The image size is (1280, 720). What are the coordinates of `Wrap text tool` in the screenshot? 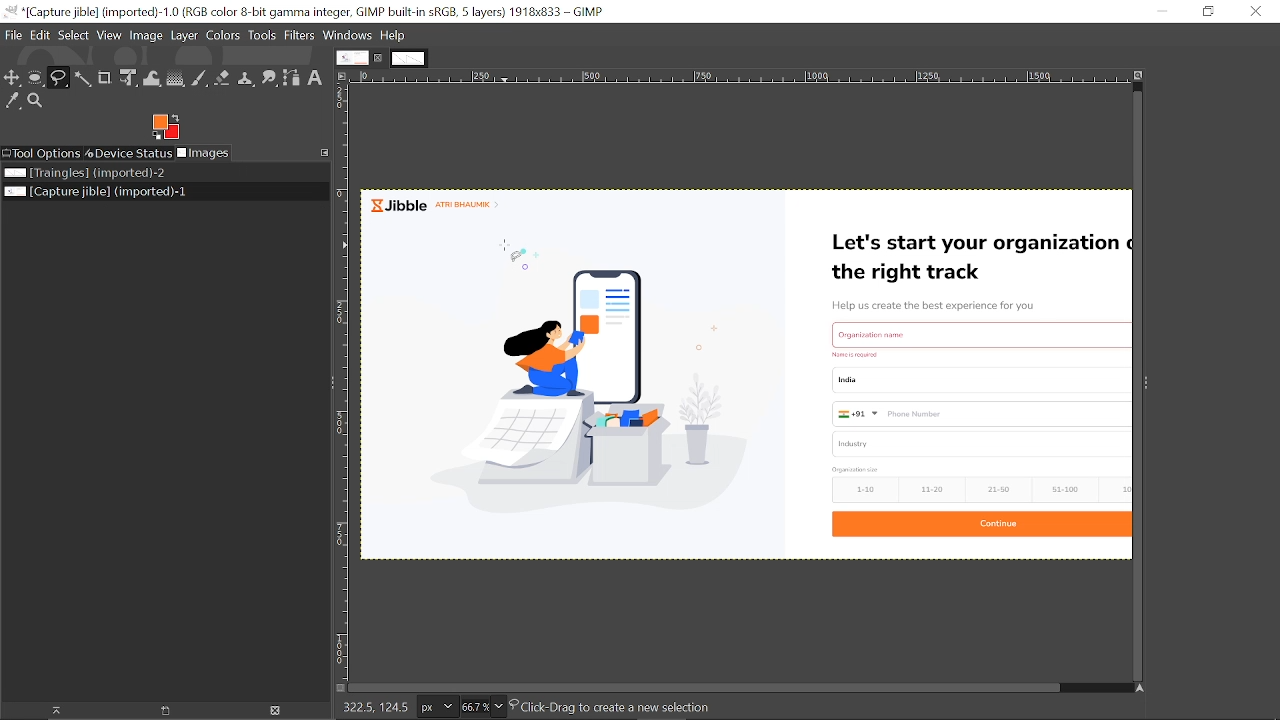 It's located at (152, 79).